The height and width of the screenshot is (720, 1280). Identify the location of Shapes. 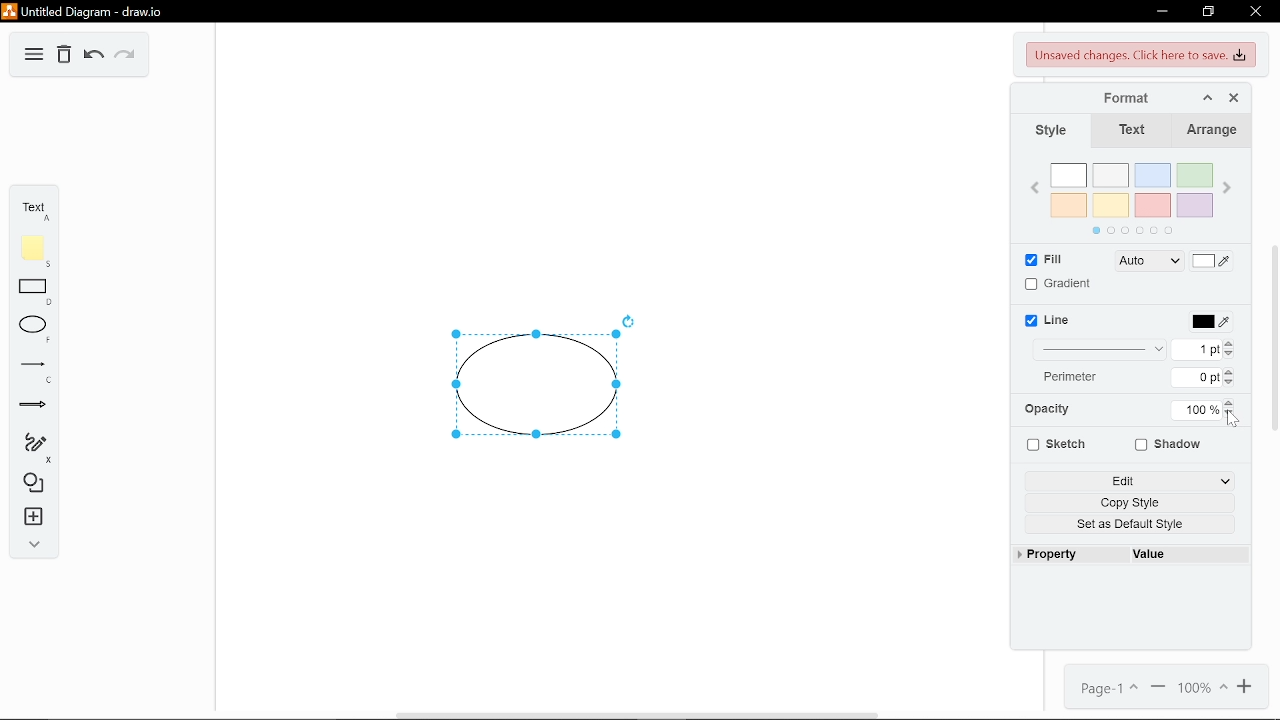
(32, 486).